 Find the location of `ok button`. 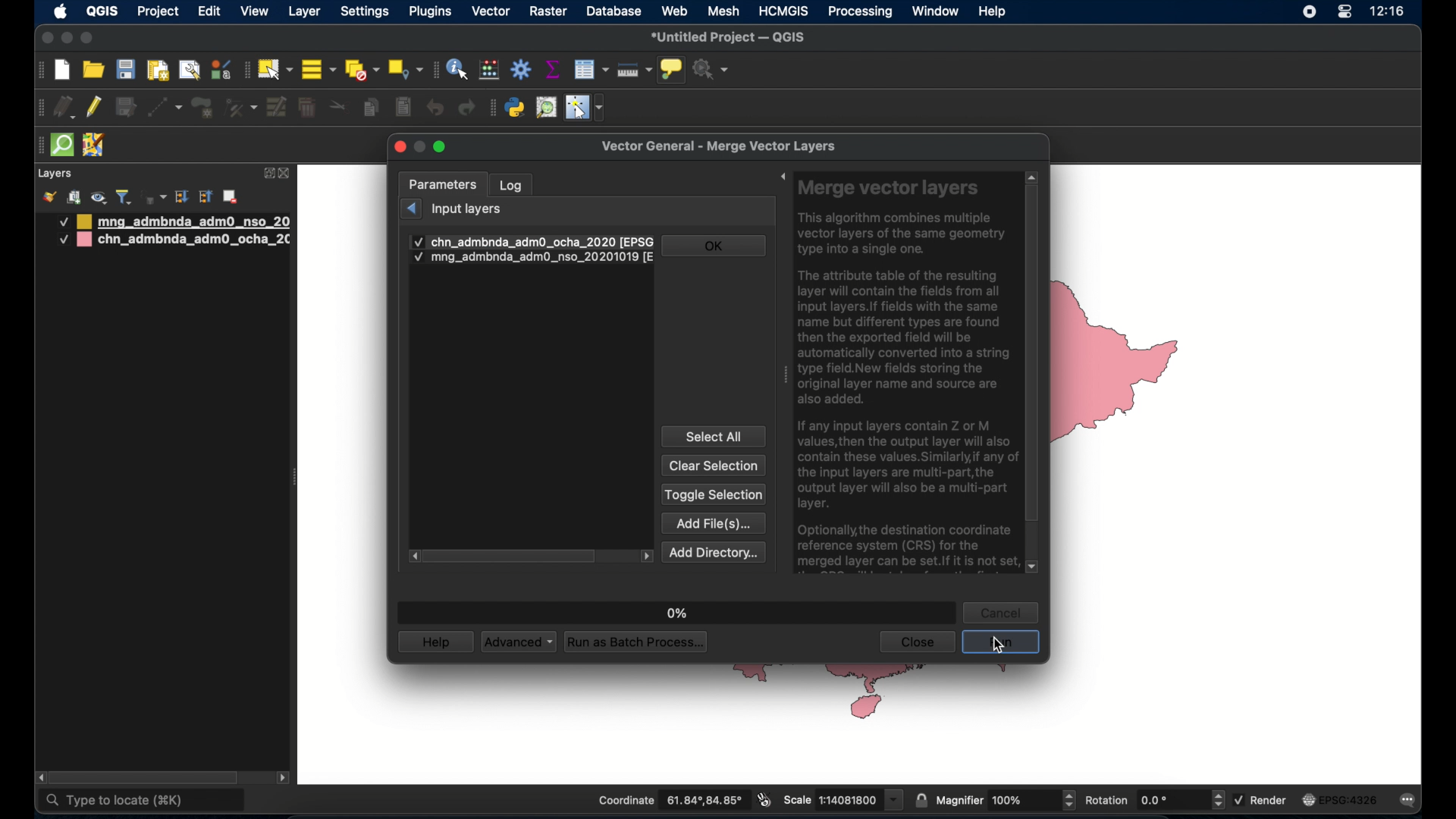

ok button is located at coordinates (715, 245).